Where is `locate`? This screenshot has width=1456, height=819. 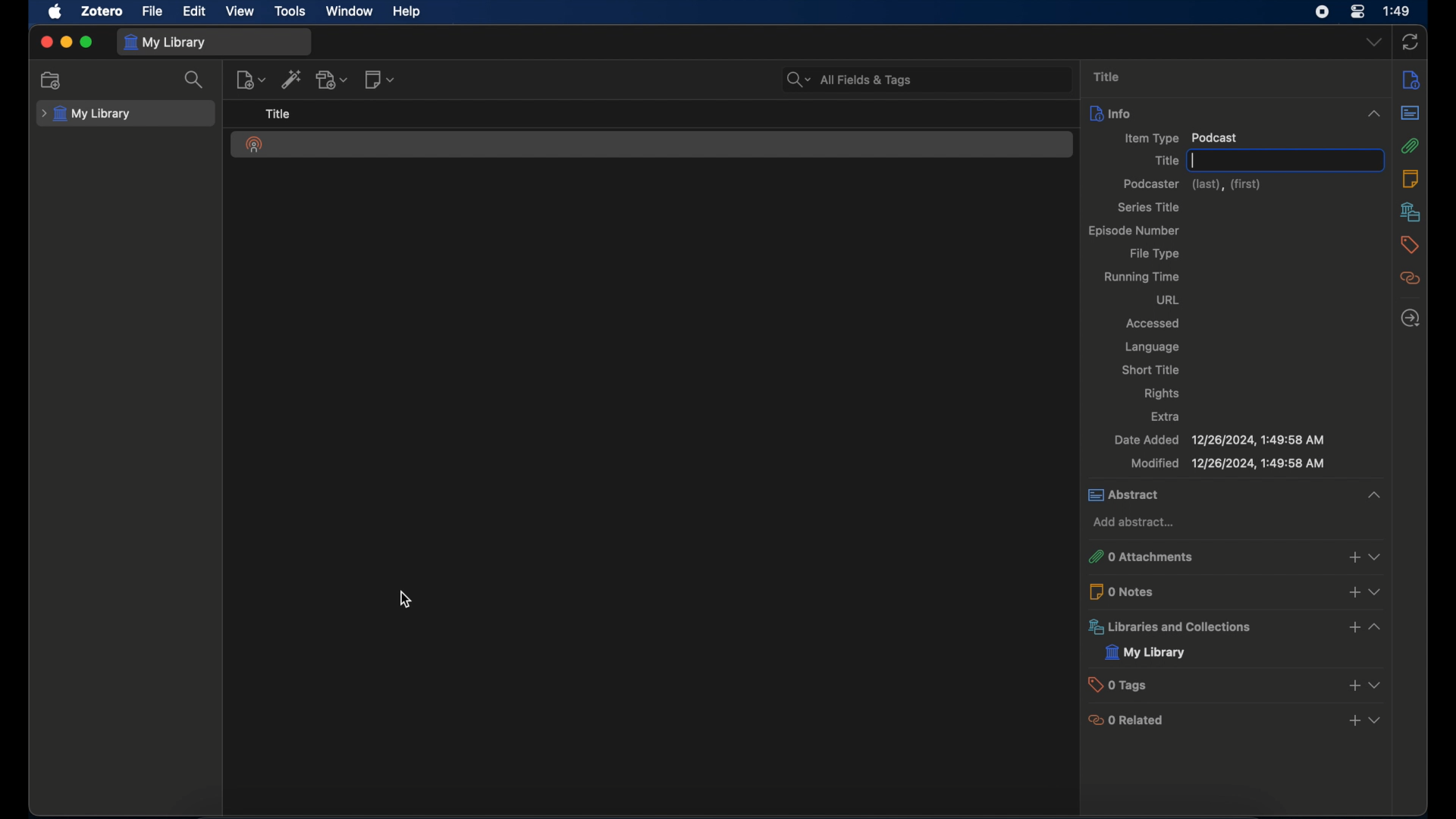
locate is located at coordinates (1410, 319).